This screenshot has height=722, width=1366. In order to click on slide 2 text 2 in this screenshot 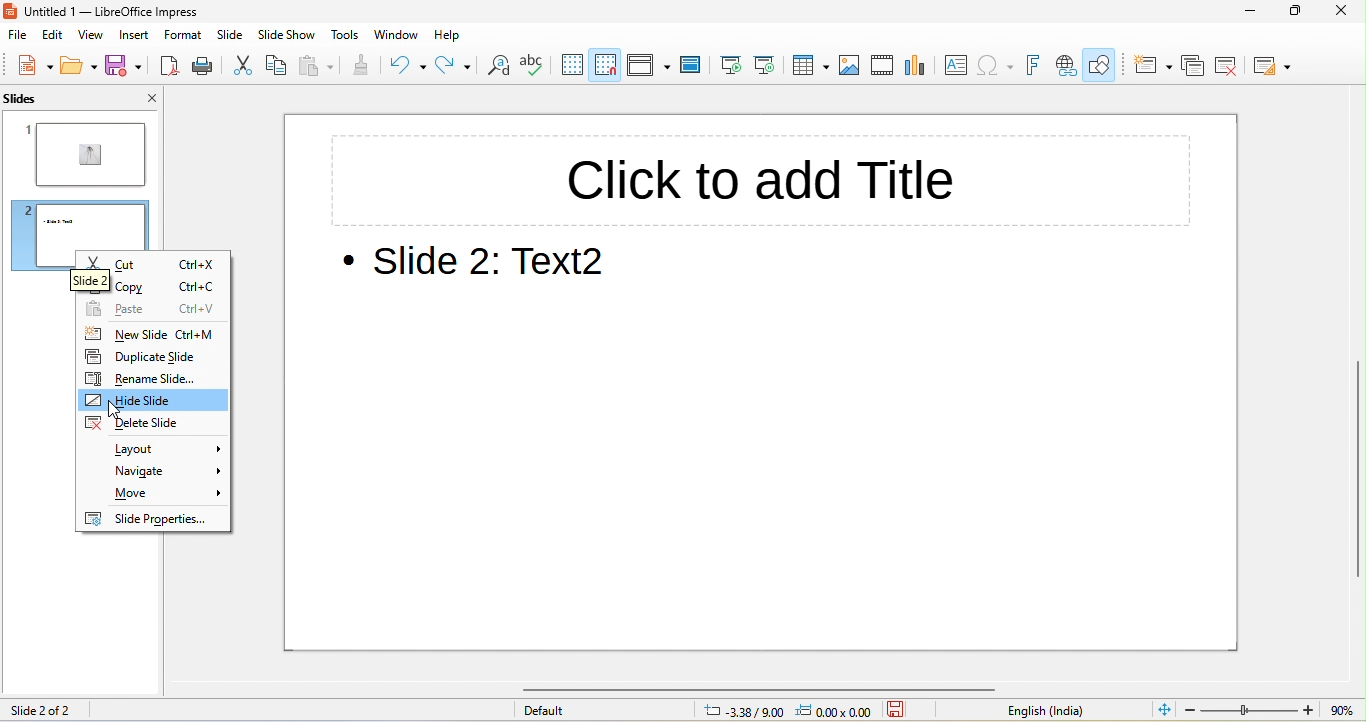, I will do `click(484, 265)`.